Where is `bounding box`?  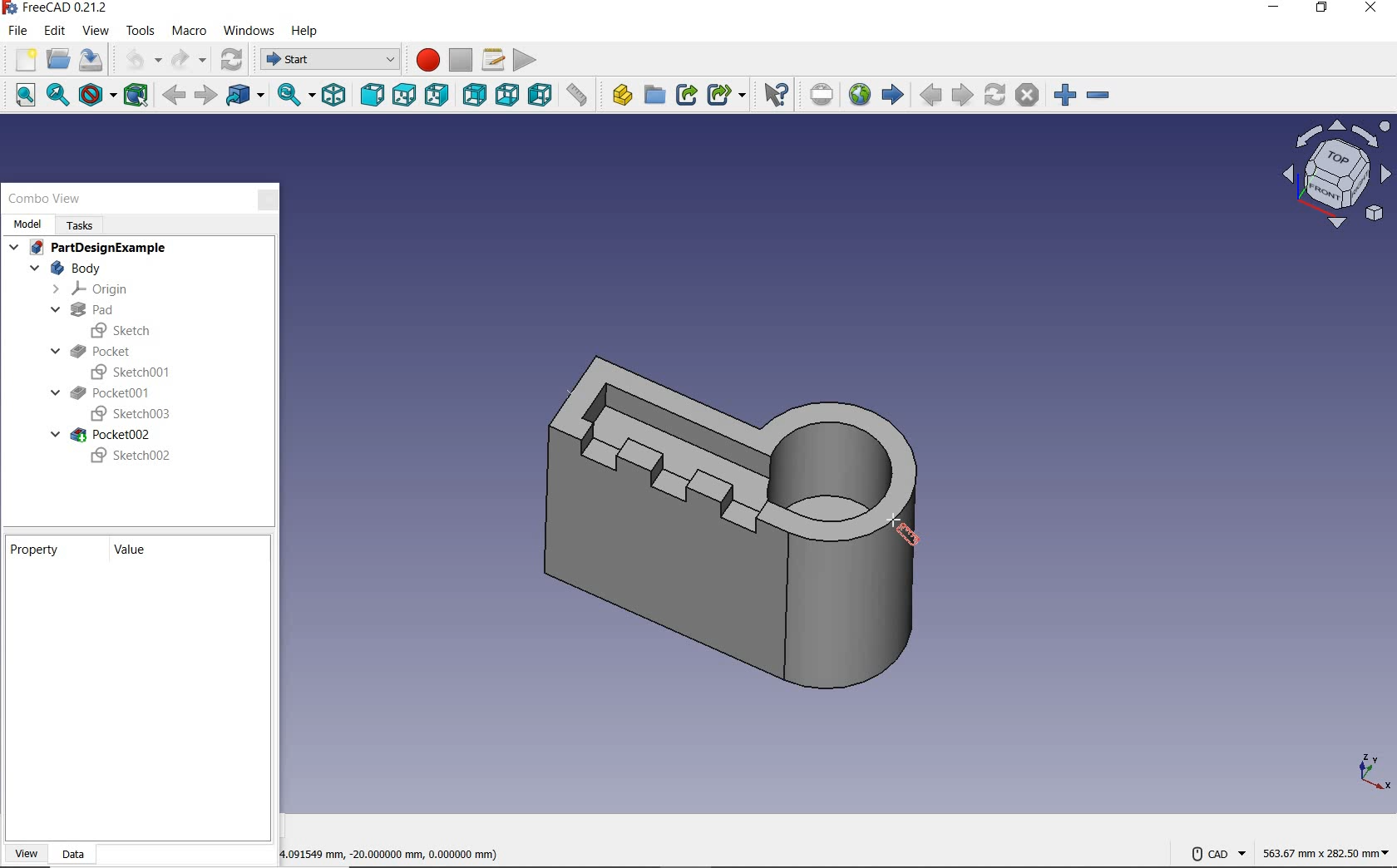
bounding box is located at coordinates (136, 95).